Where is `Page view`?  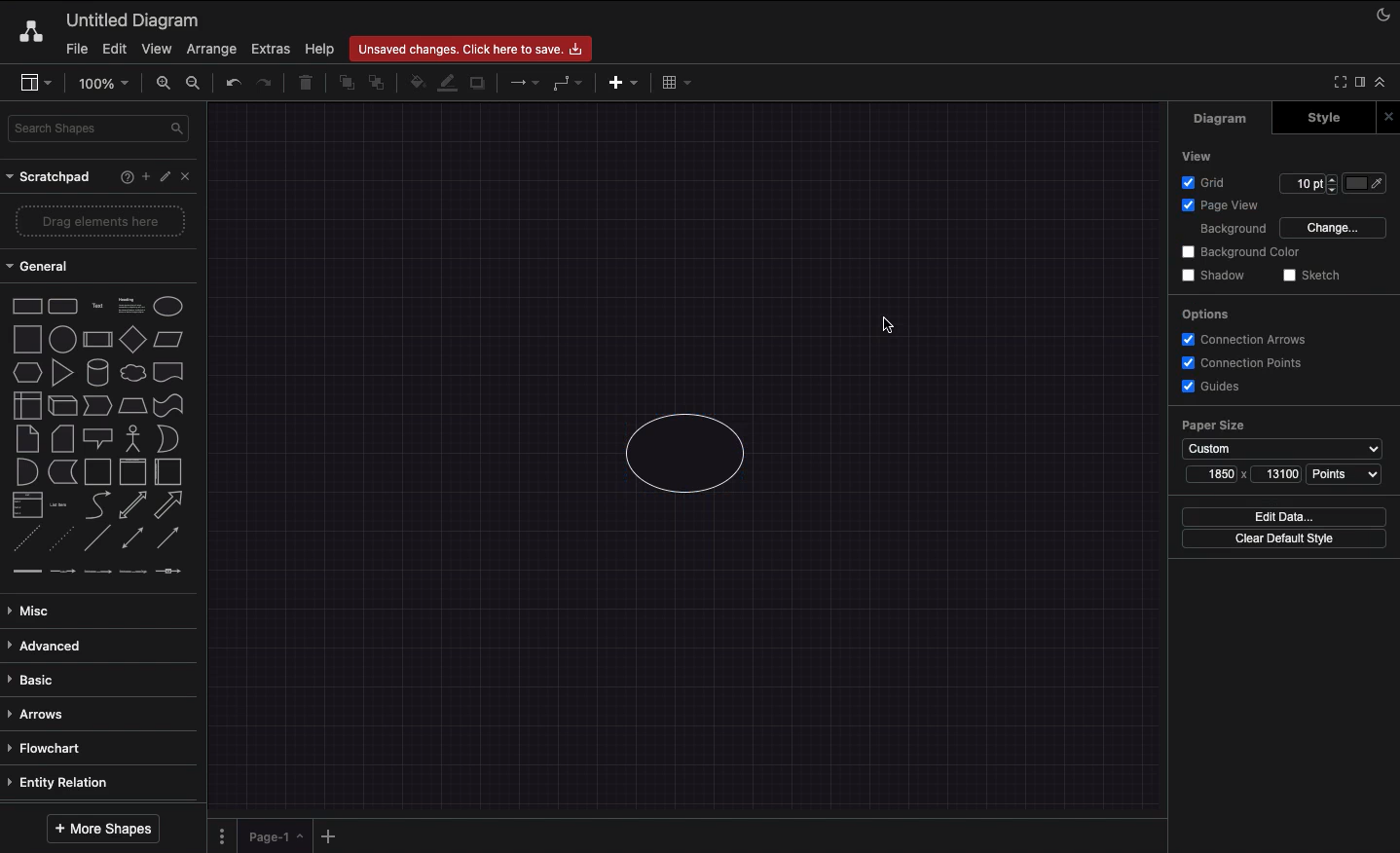 Page view is located at coordinates (1217, 206).